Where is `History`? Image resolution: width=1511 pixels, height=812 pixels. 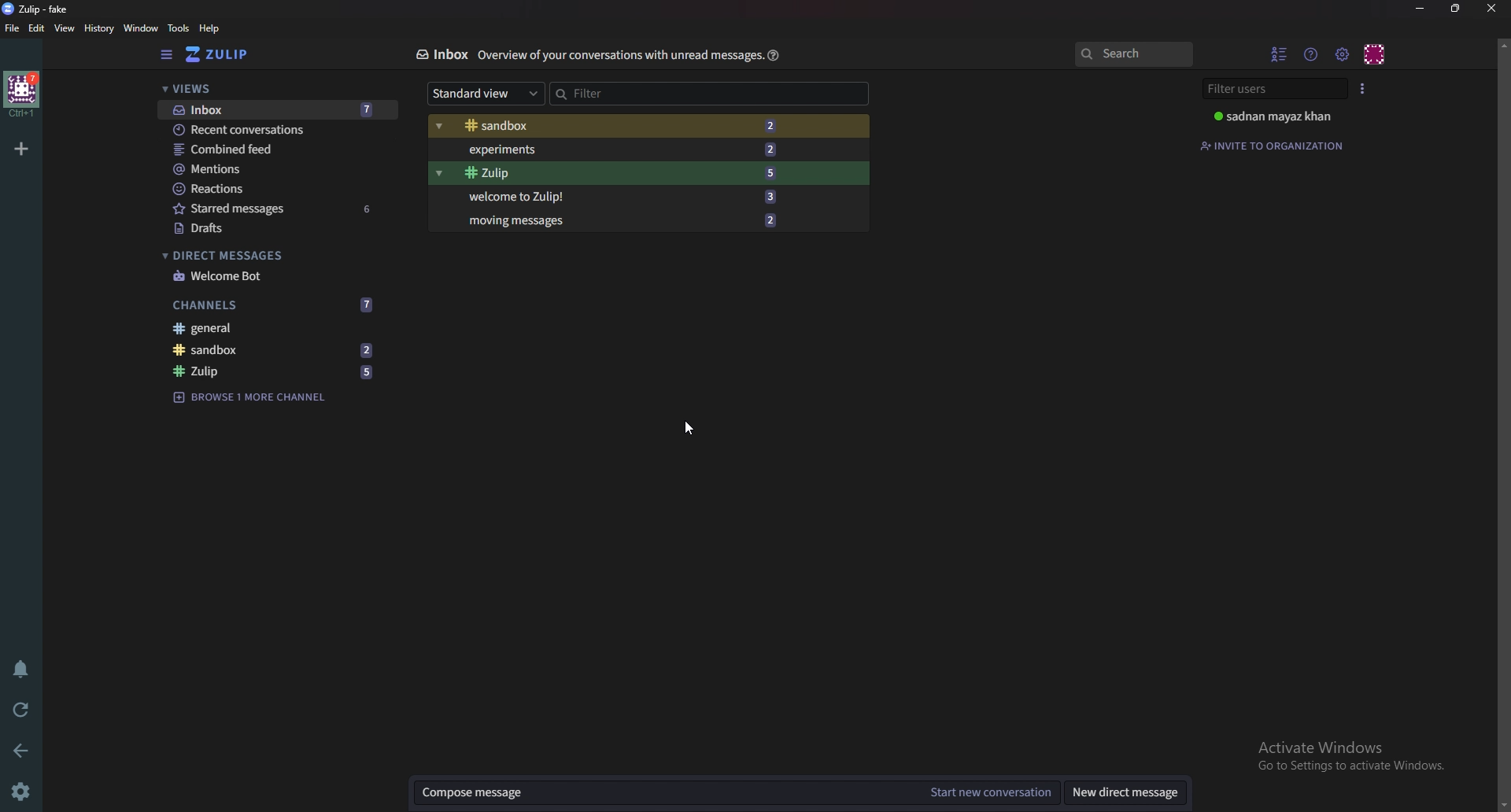
History is located at coordinates (101, 28).